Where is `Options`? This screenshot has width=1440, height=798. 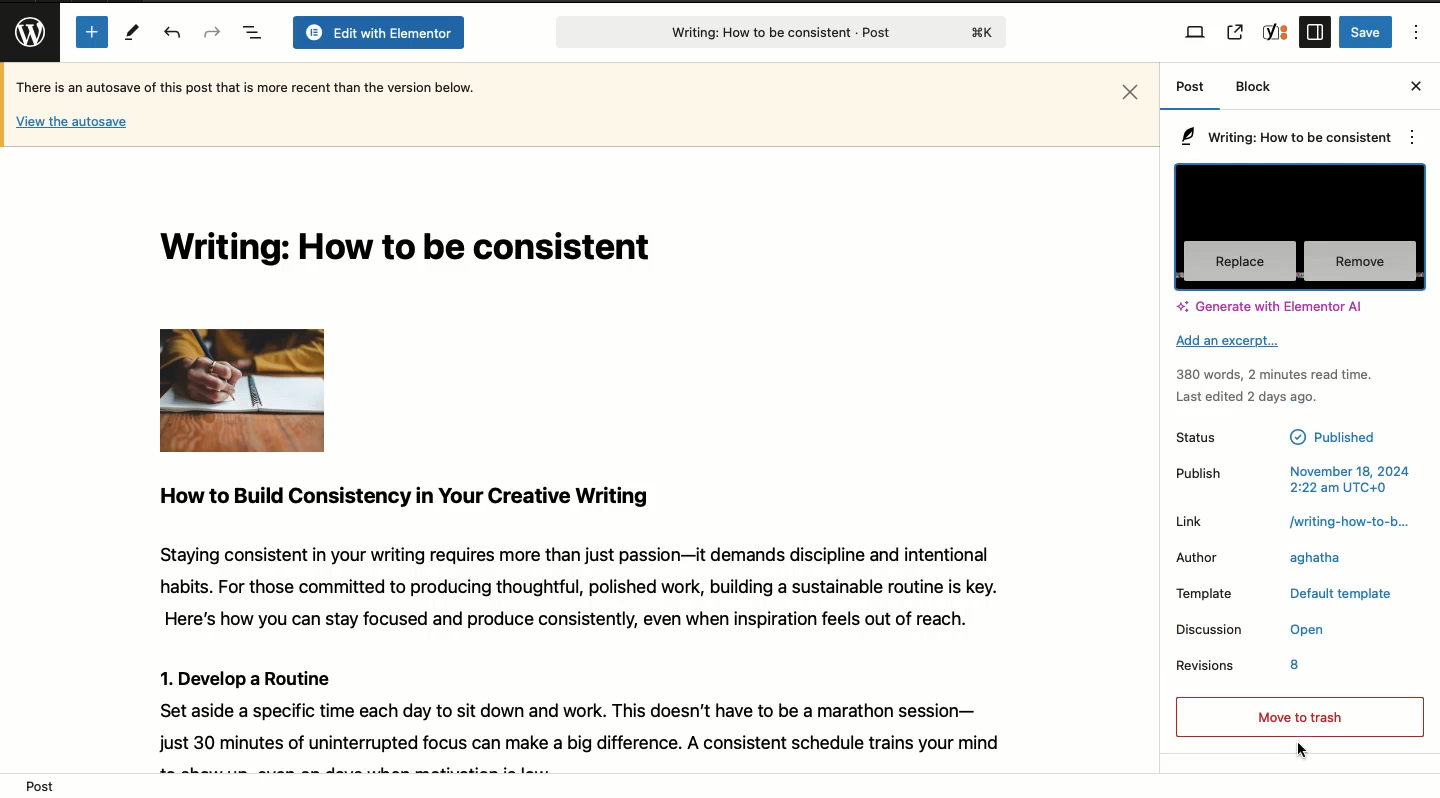
Options is located at coordinates (1419, 31).